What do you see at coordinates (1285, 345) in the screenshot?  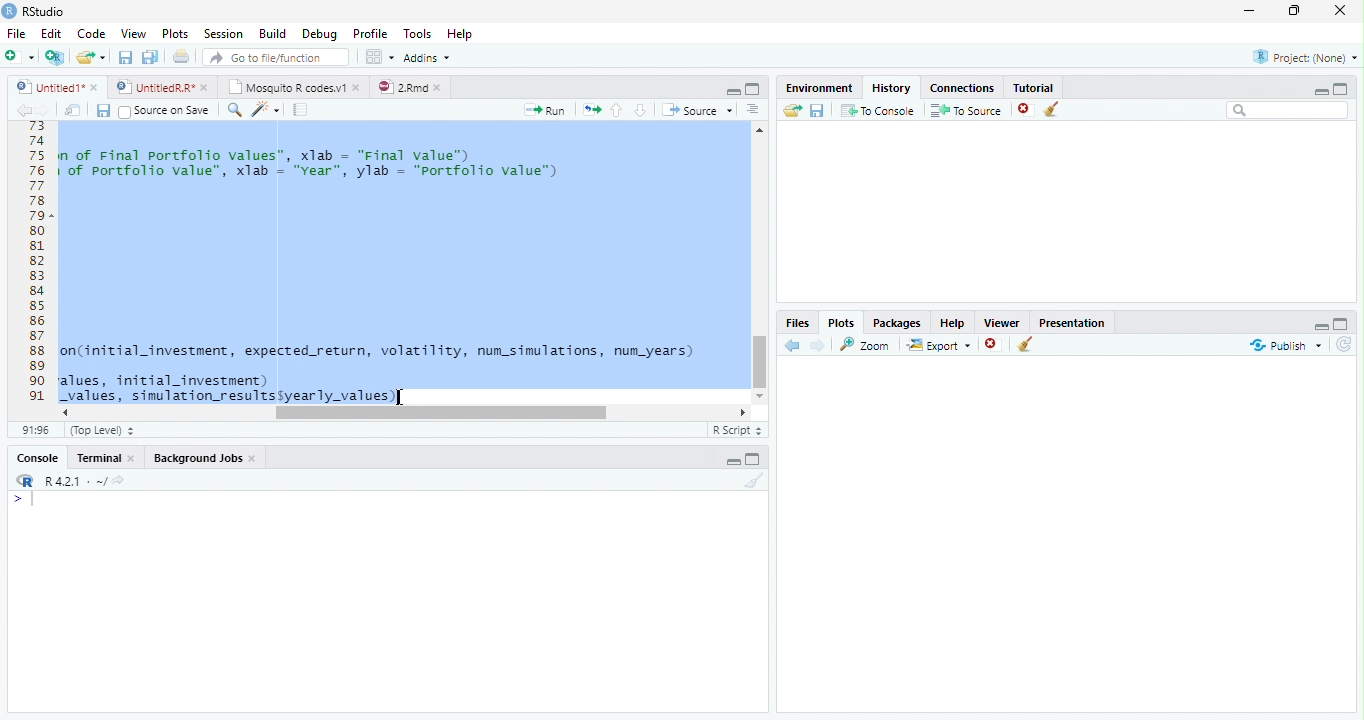 I see `publish` at bounding box center [1285, 345].